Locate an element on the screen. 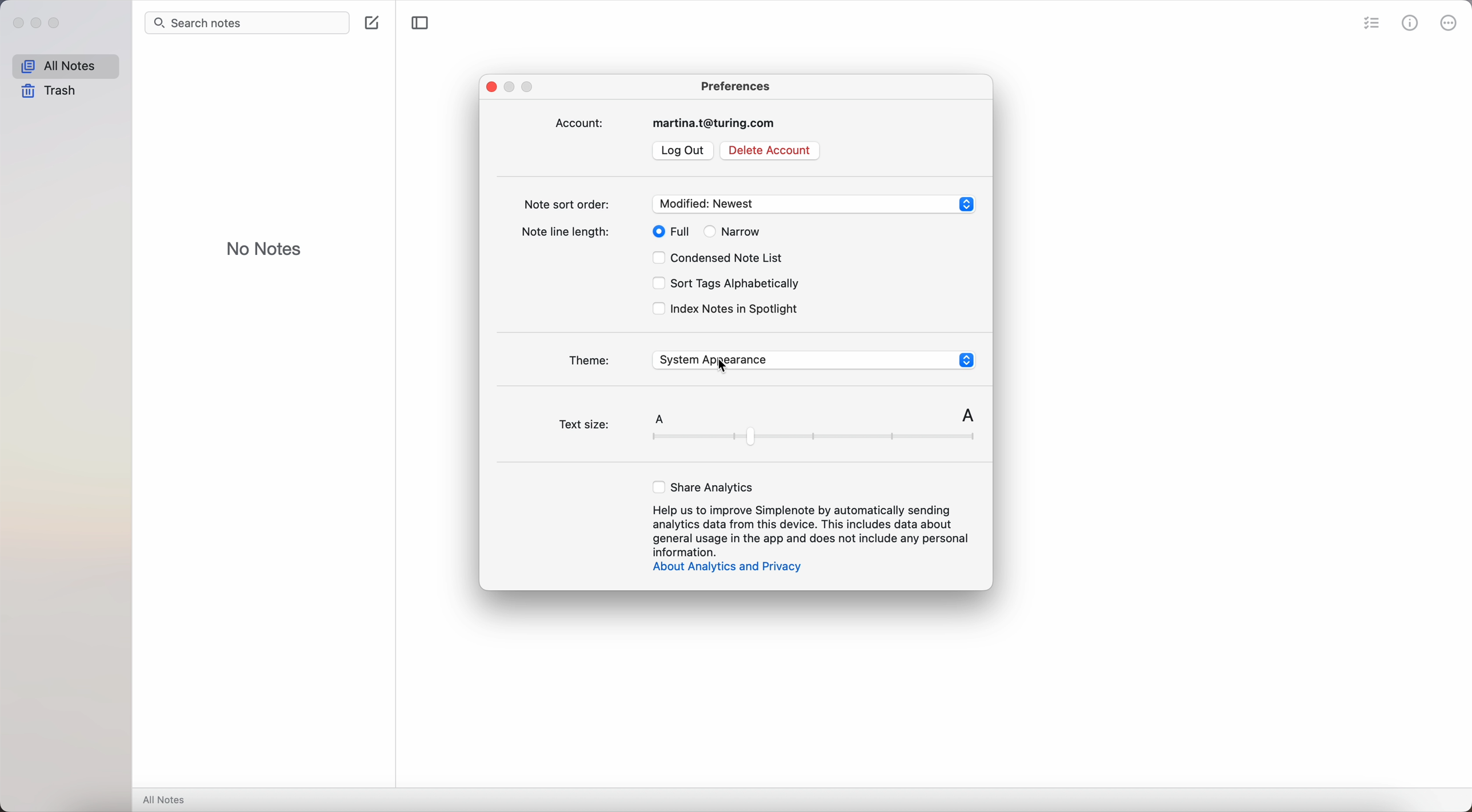 This screenshot has height=812, width=1472. close Simplenote is located at coordinates (17, 22).